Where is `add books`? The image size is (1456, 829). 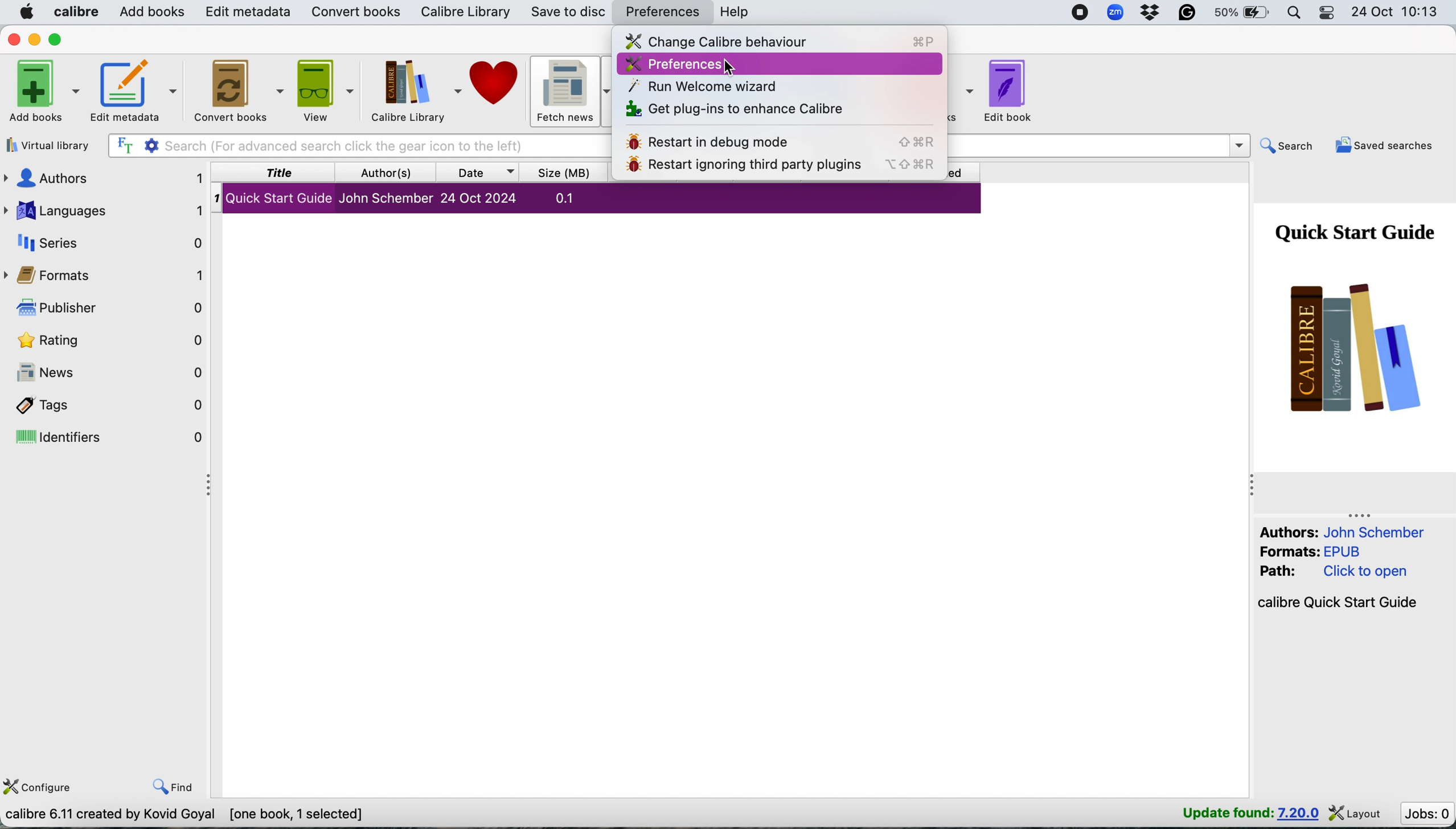 add books is located at coordinates (47, 91).